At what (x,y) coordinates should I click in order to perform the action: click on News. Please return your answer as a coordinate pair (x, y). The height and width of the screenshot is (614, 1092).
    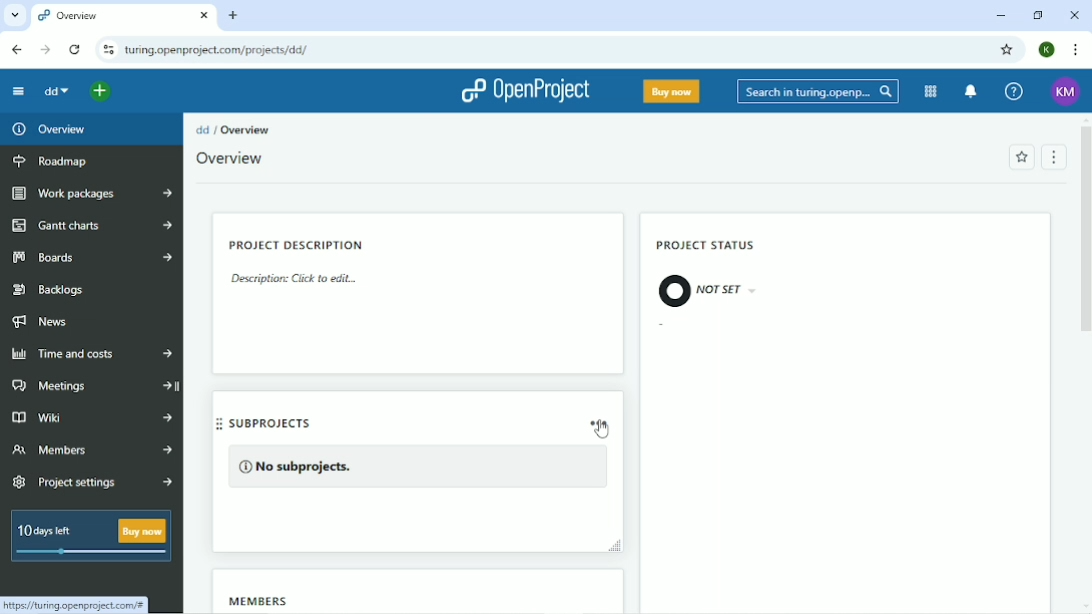
    Looking at the image, I should click on (45, 322).